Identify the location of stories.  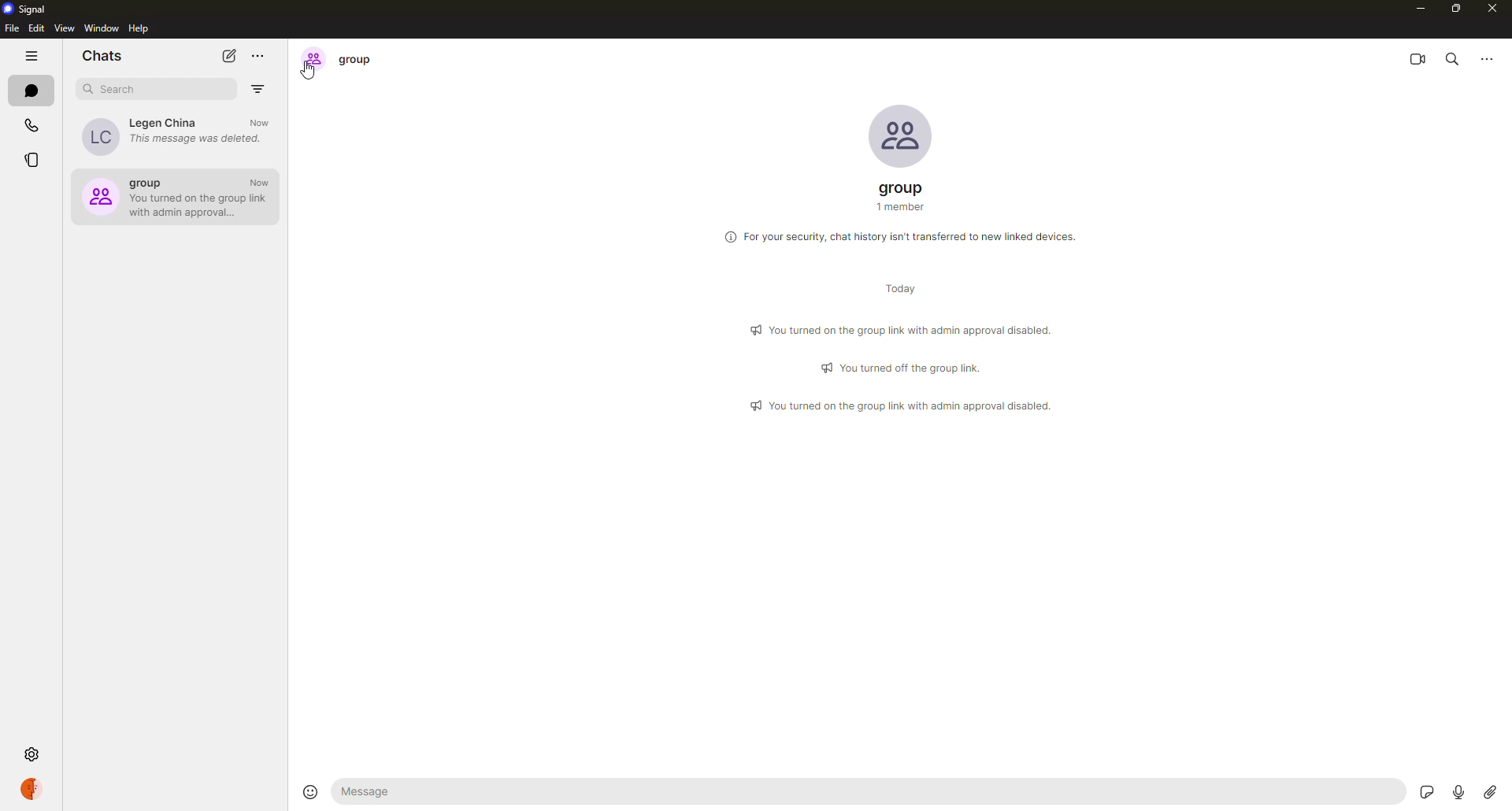
(31, 162).